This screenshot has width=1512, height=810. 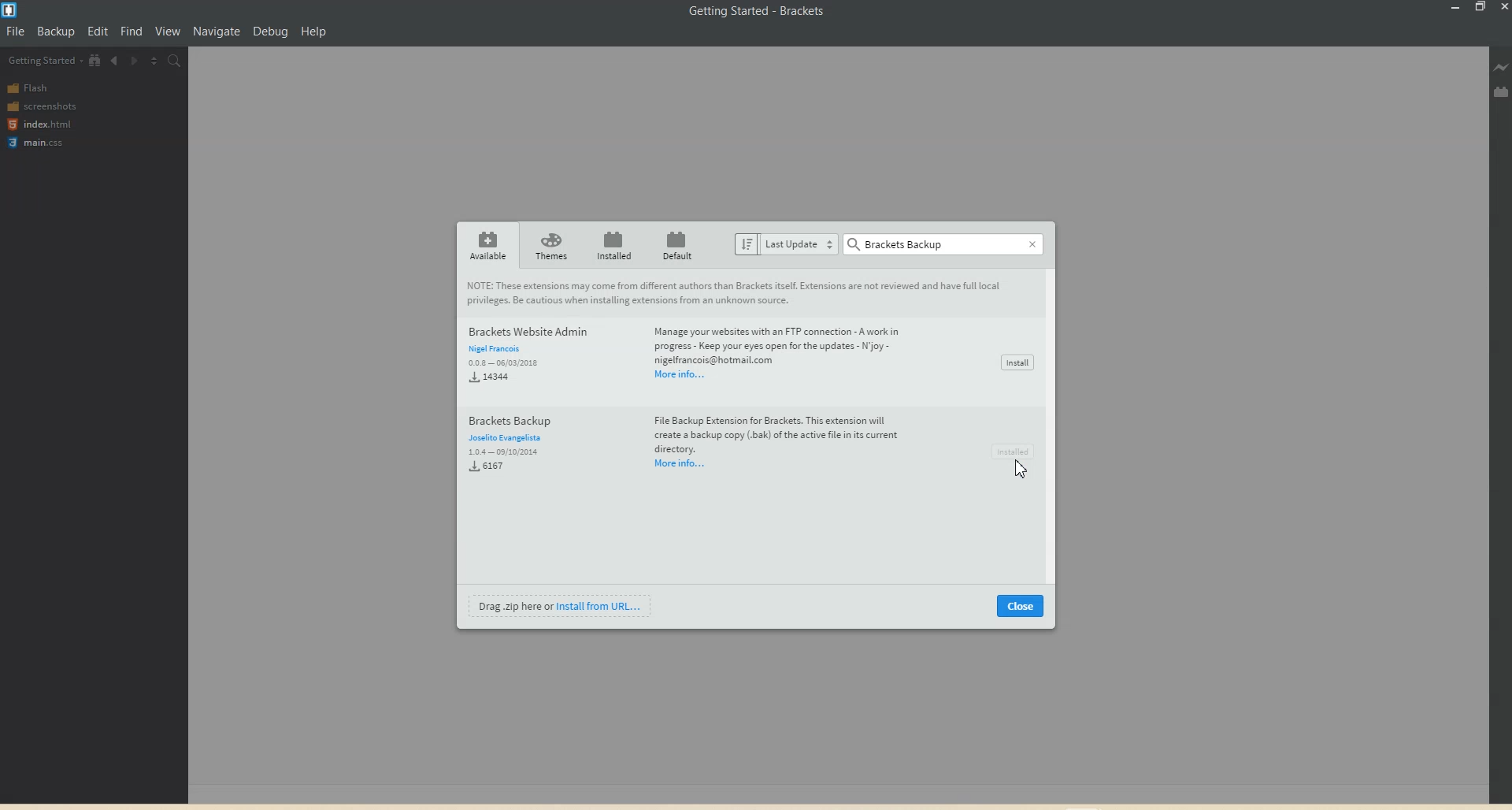 I want to click on Getting Started - Brackets, so click(x=756, y=12).